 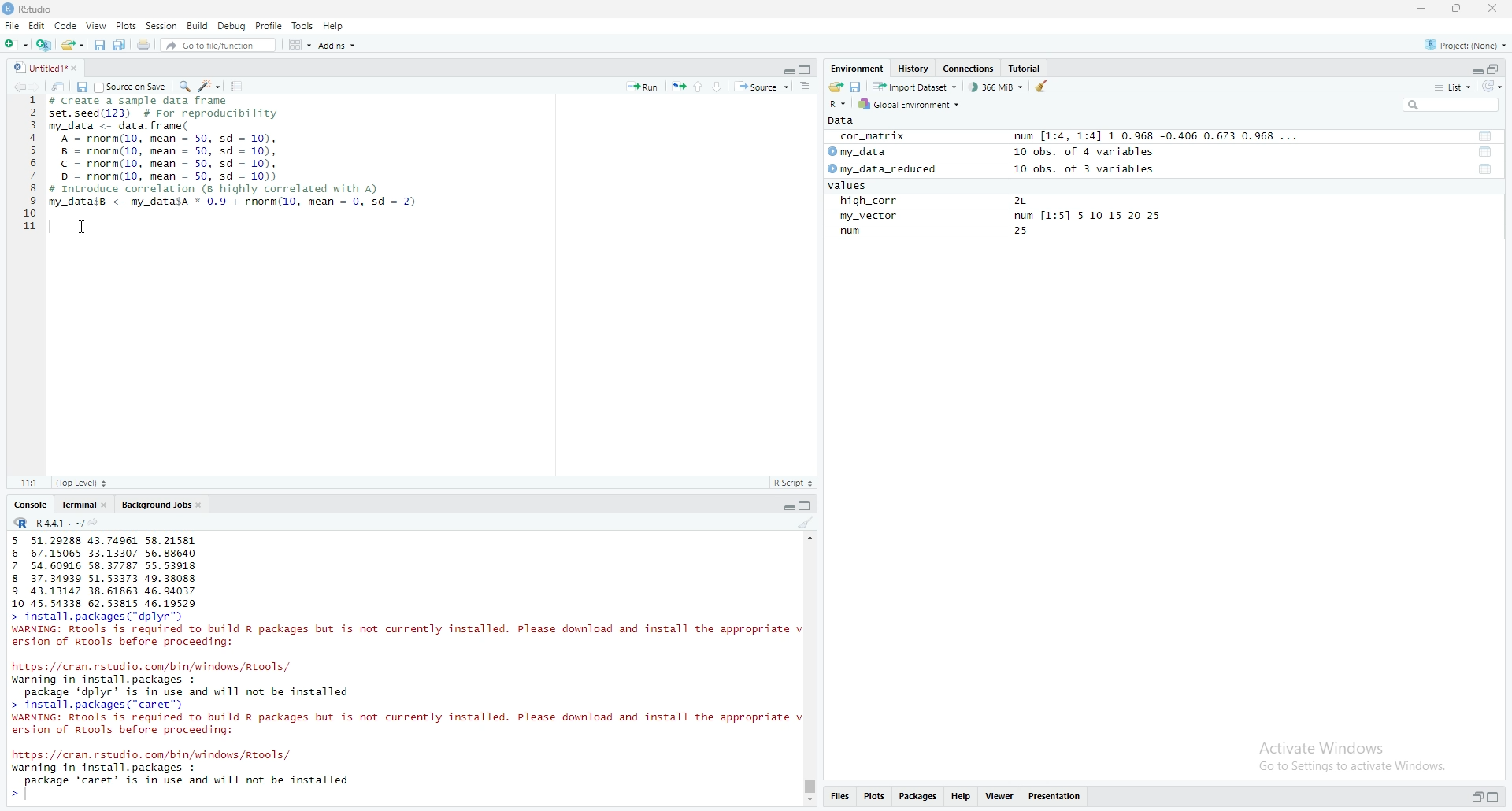 I want to click on num 25, so click(x=945, y=233).